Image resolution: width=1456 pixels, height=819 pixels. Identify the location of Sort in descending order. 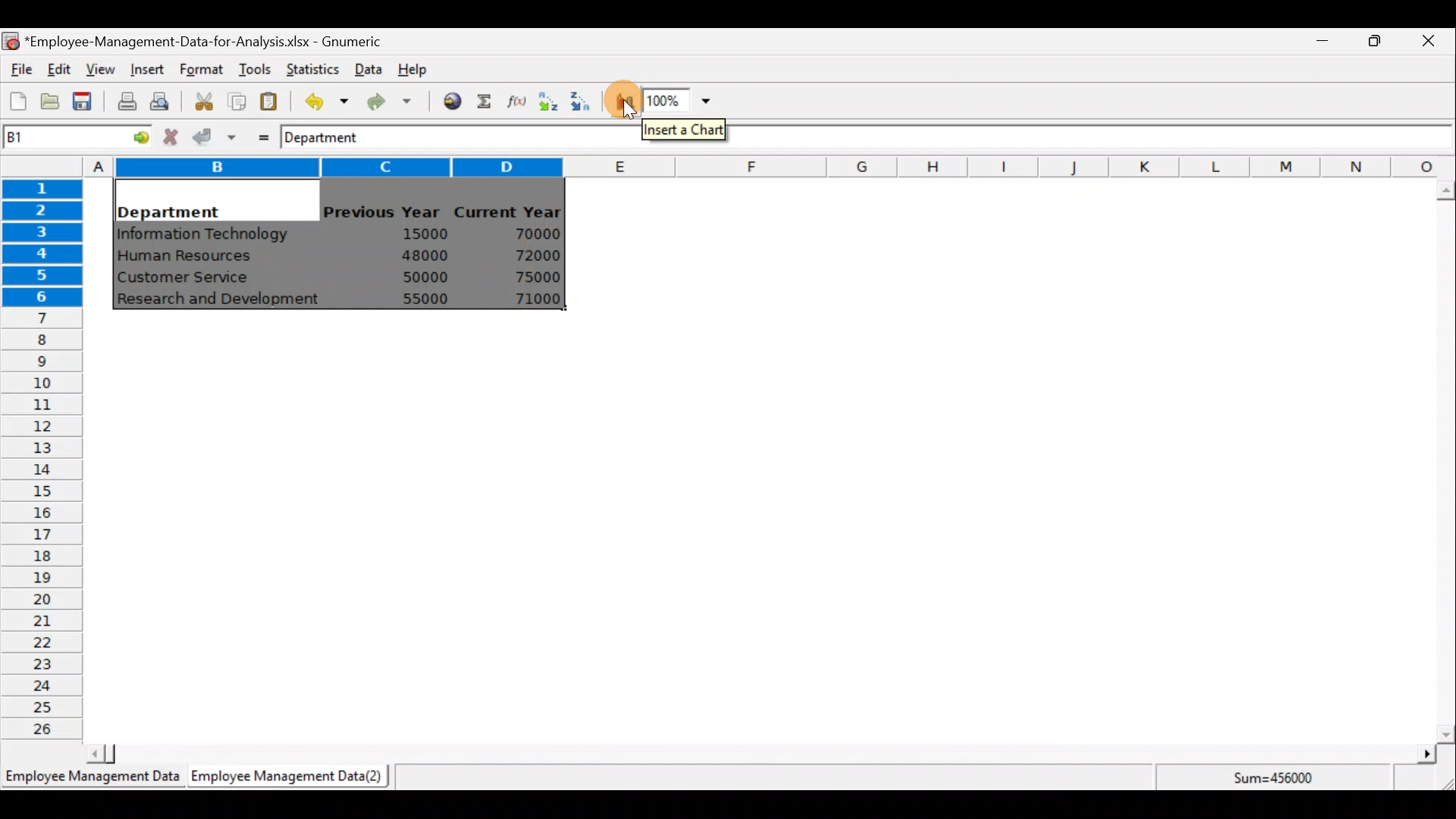
(582, 102).